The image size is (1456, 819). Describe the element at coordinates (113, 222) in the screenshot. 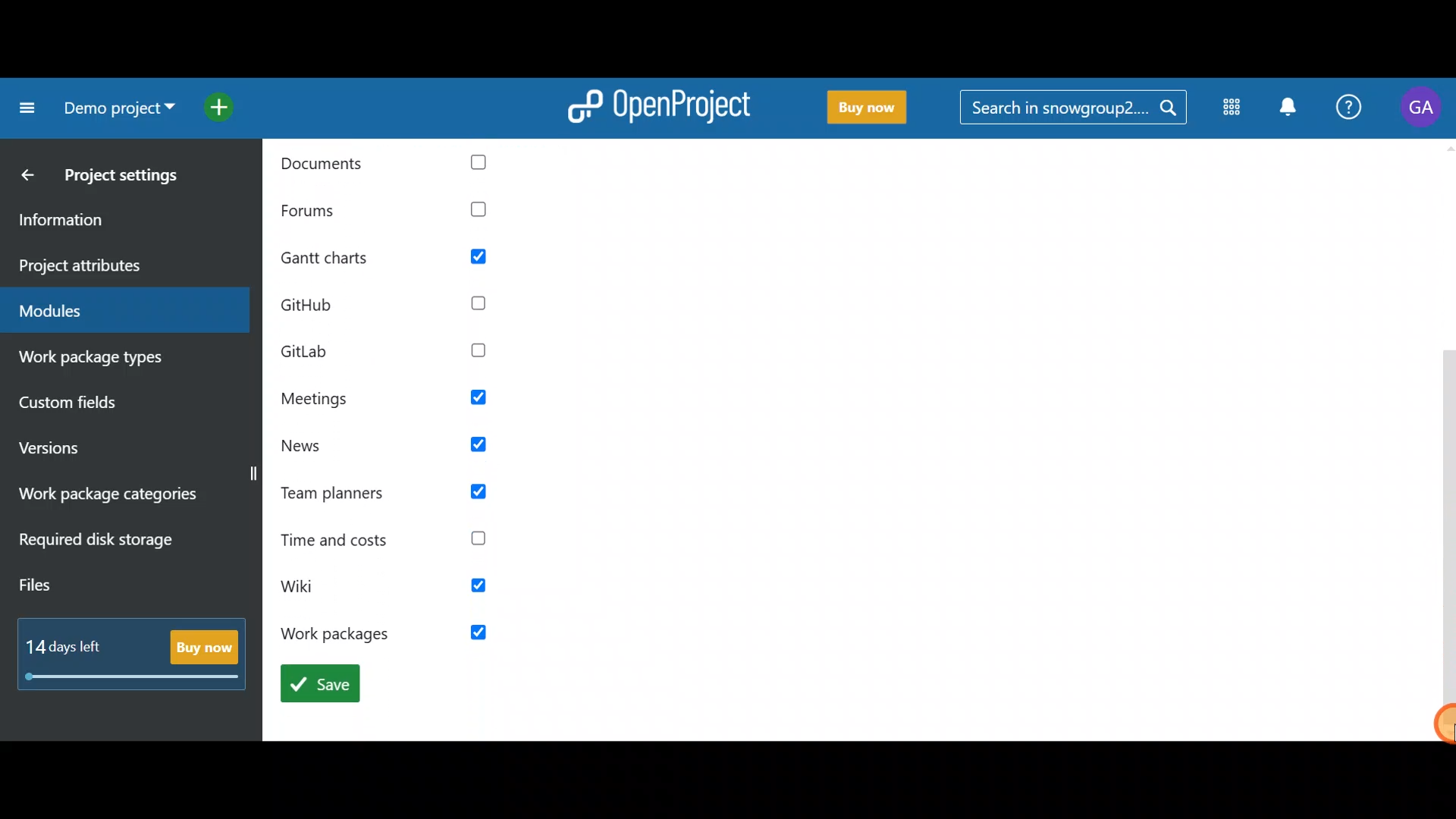

I see `Information` at that location.